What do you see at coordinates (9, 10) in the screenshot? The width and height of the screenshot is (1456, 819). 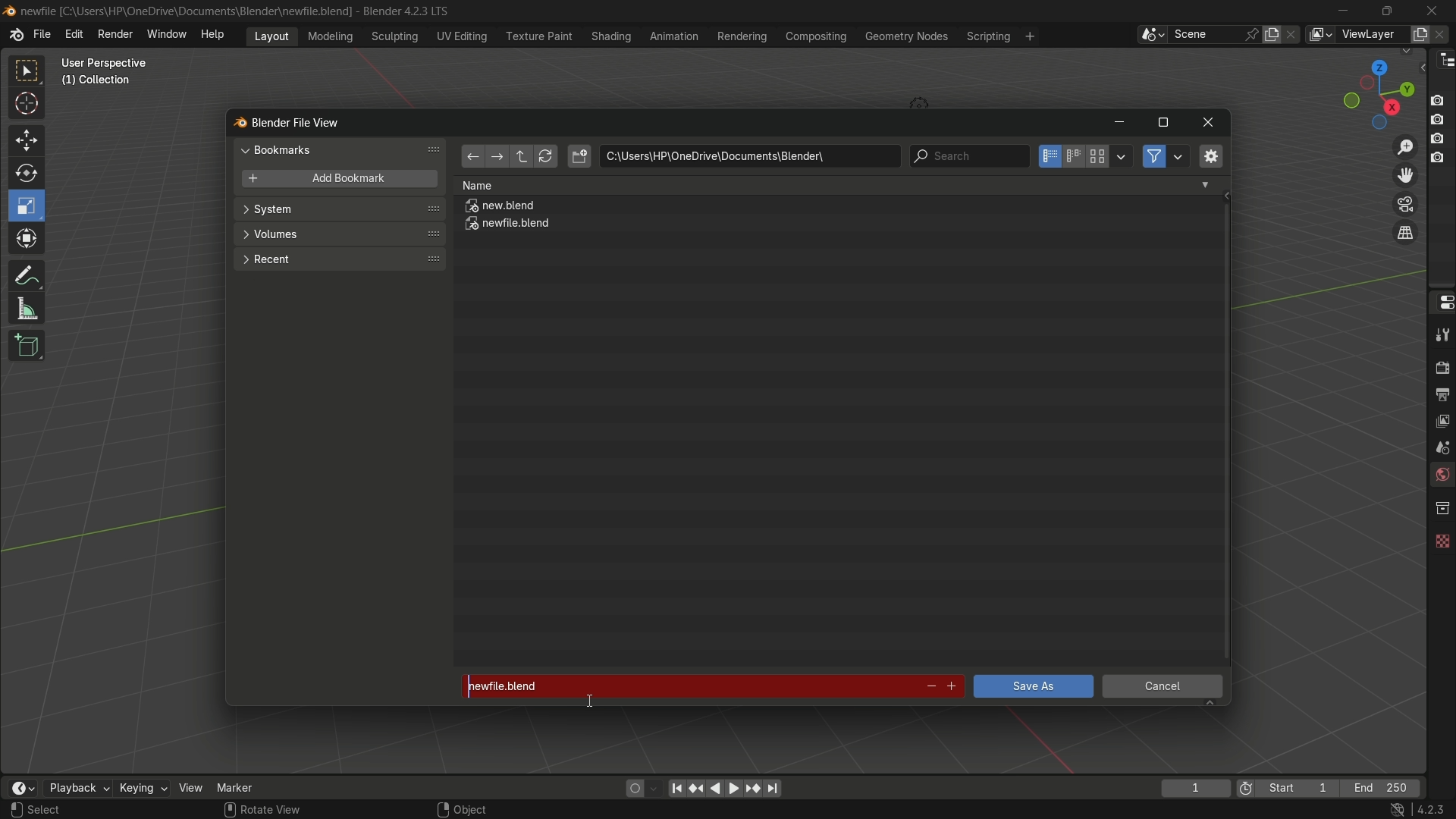 I see `Blend` at bounding box center [9, 10].